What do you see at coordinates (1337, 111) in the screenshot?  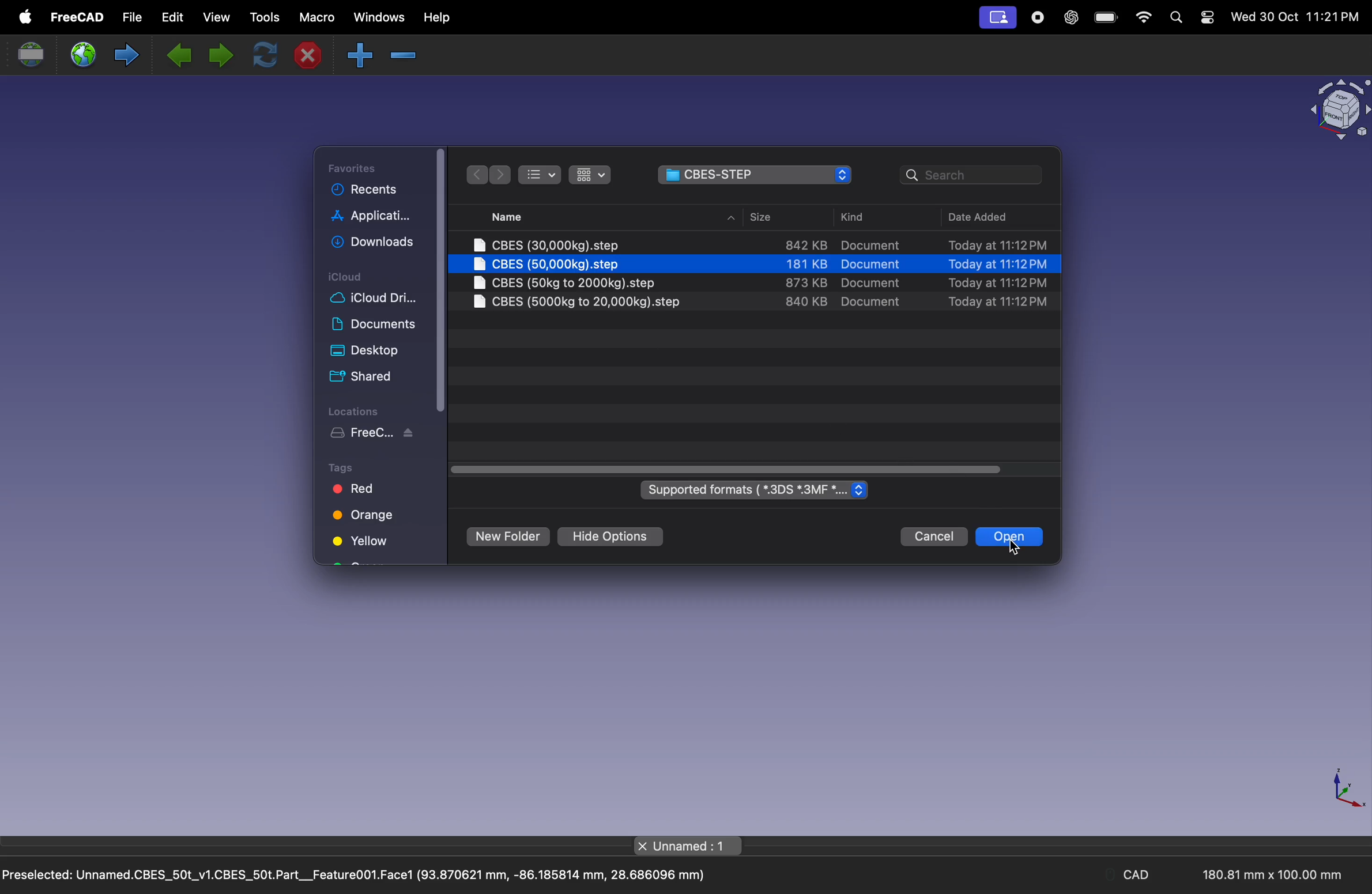 I see `object view` at bounding box center [1337, 111].